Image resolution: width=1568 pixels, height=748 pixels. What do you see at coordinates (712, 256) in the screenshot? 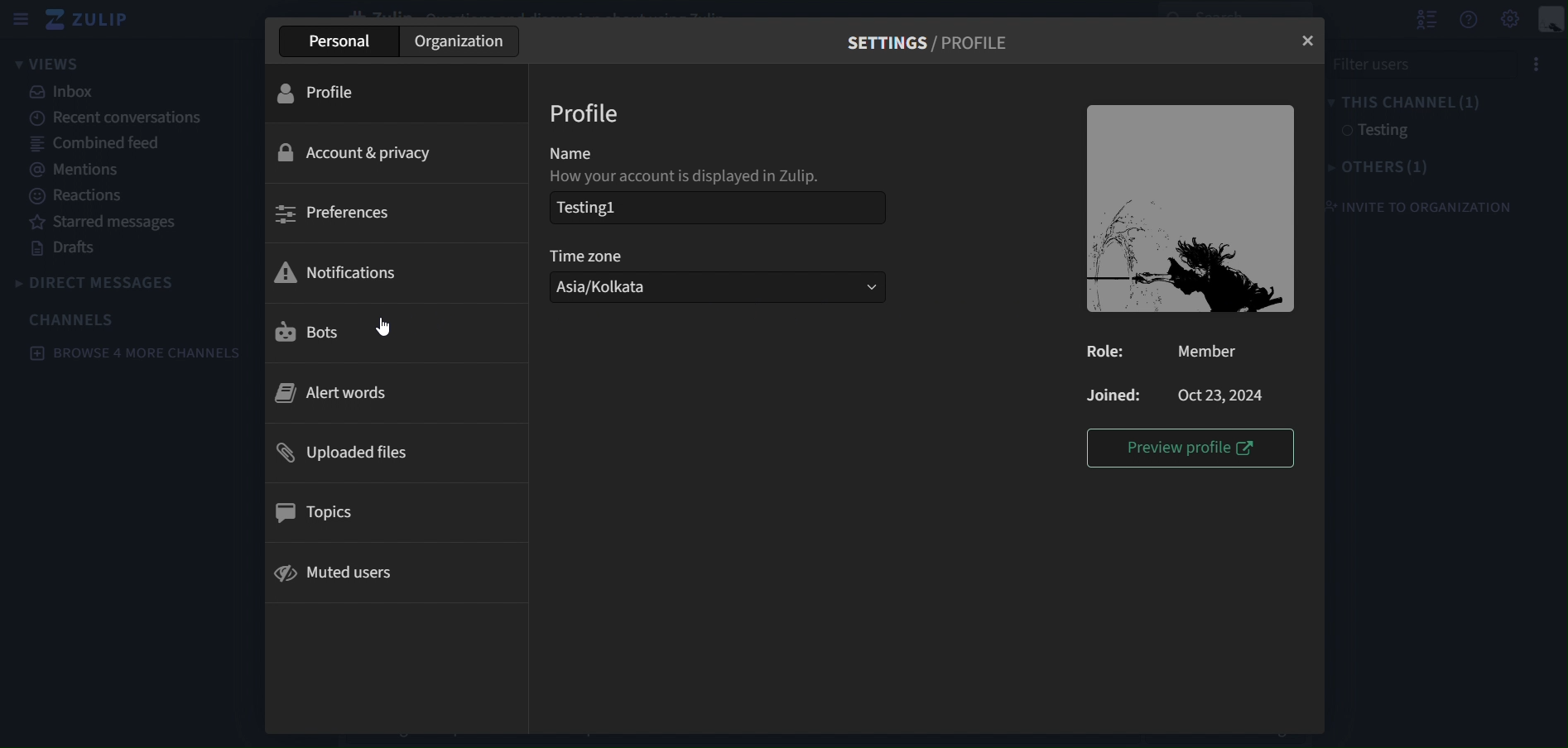
I see `time zone` at bounding box center [712, 256].